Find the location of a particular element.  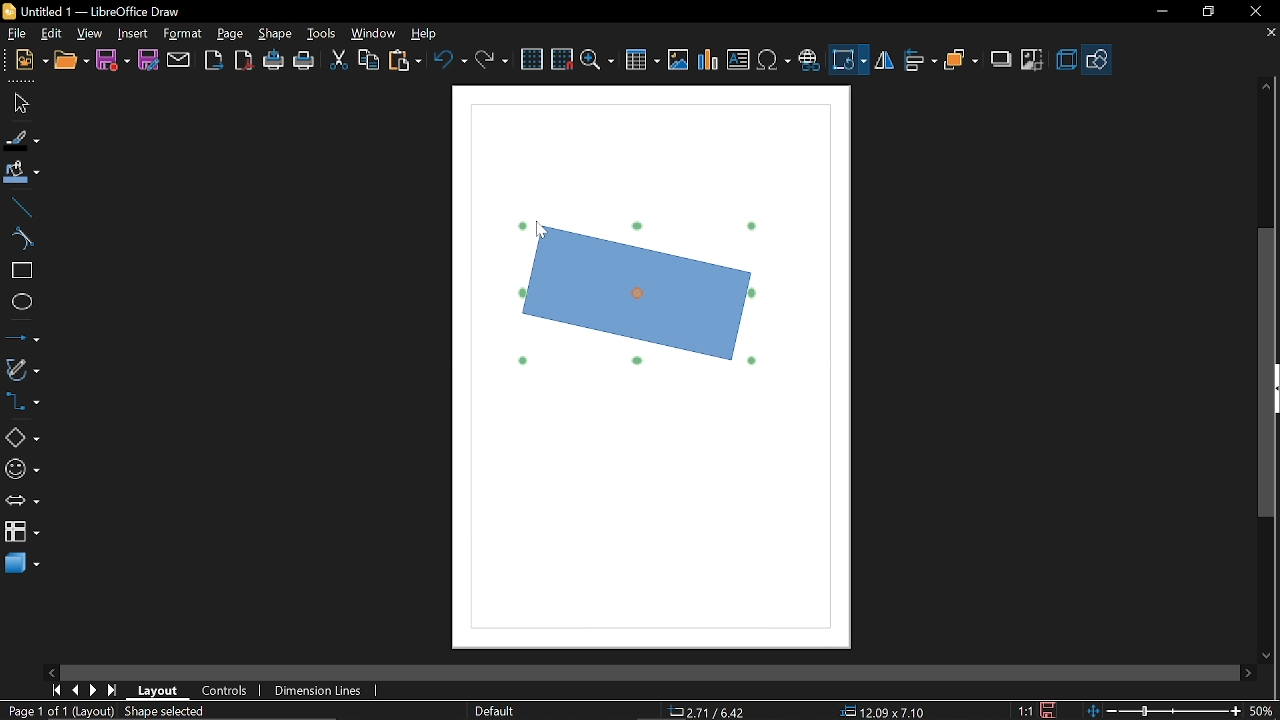

Curve is located at coordinates (19, 239).